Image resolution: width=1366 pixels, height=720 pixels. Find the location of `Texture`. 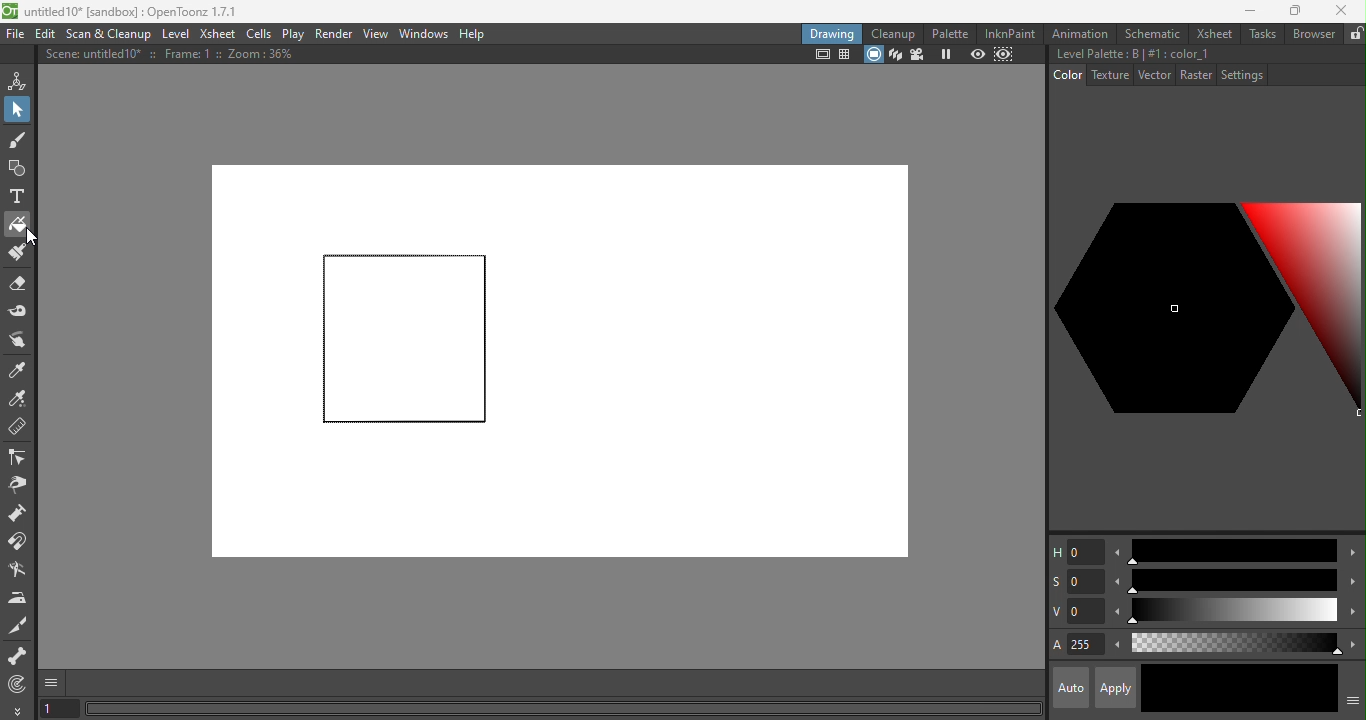

Texture is located at coordinates (1108, 75).